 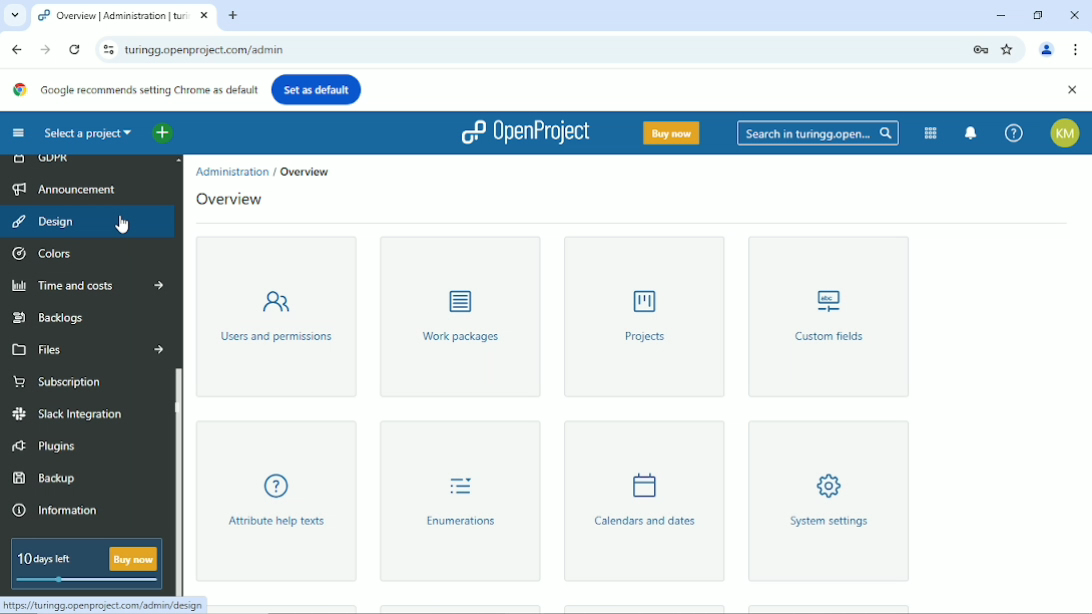 I want to click on current site link : turingg.openproject.com/admin, so click(x=536, y=49).